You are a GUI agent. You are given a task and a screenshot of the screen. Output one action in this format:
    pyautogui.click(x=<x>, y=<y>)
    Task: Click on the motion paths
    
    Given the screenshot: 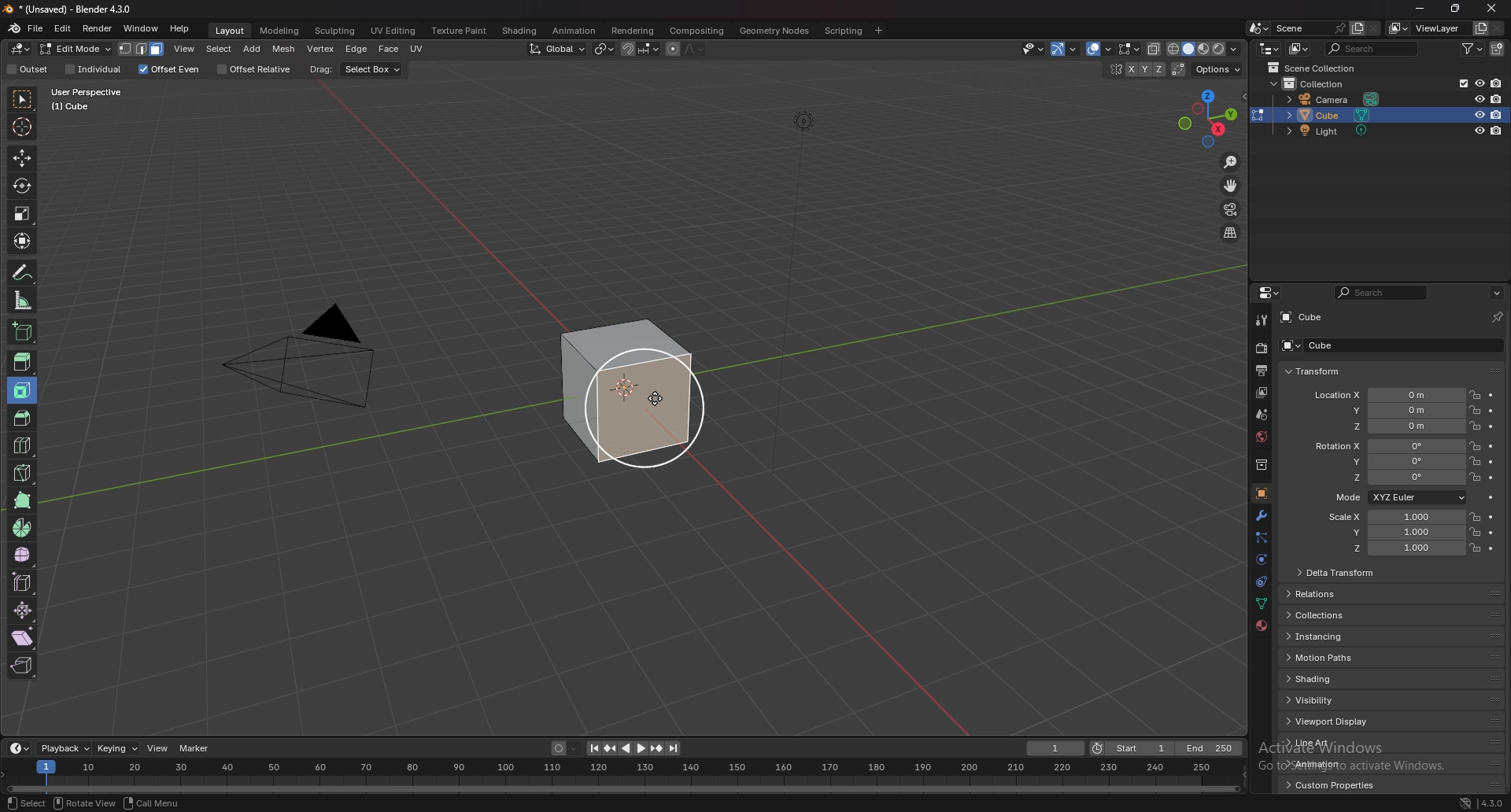 What is the action you would take?
    pyautogui.click(x=1334, y=657)
    